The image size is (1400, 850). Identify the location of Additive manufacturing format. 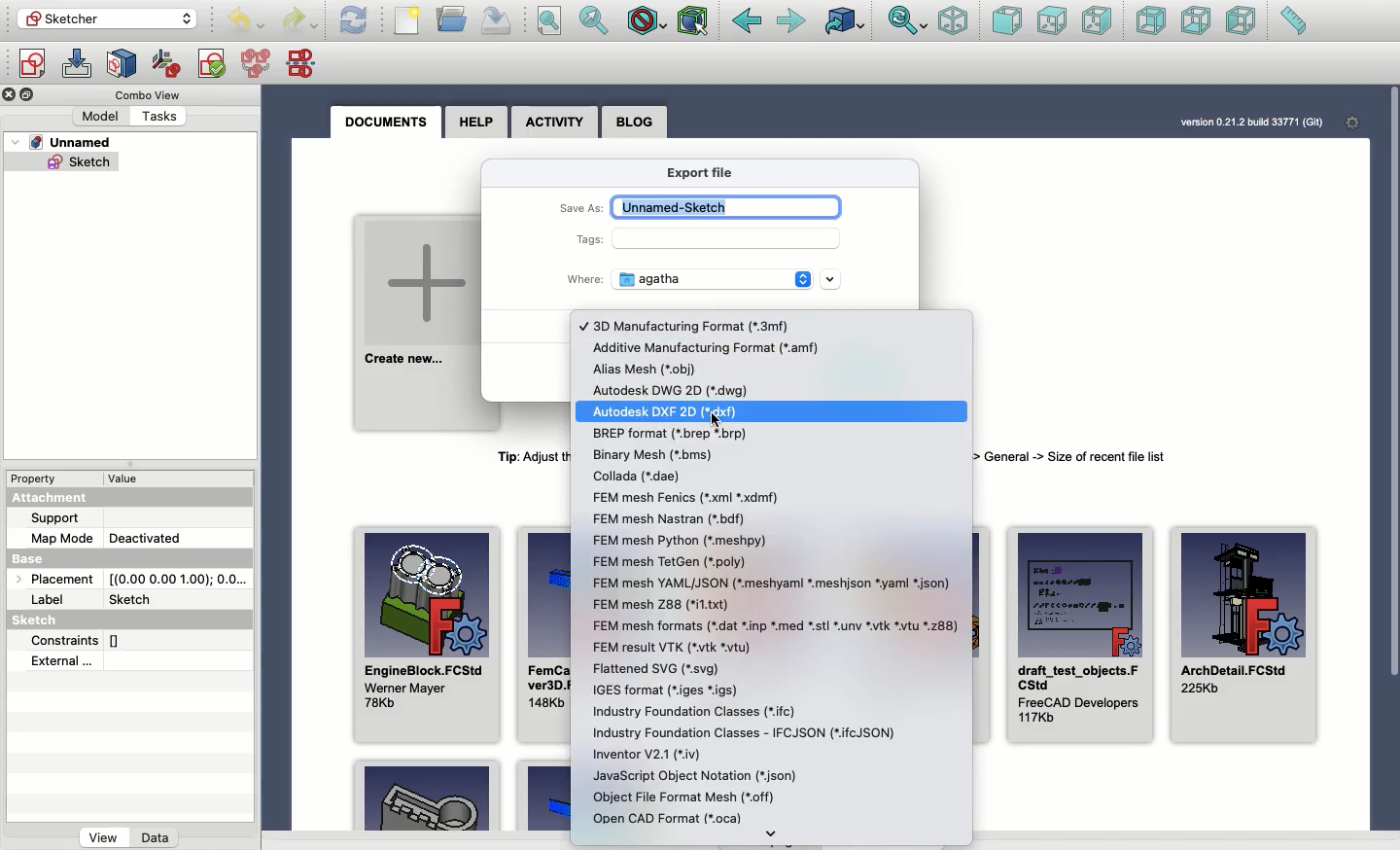
(706, 347).